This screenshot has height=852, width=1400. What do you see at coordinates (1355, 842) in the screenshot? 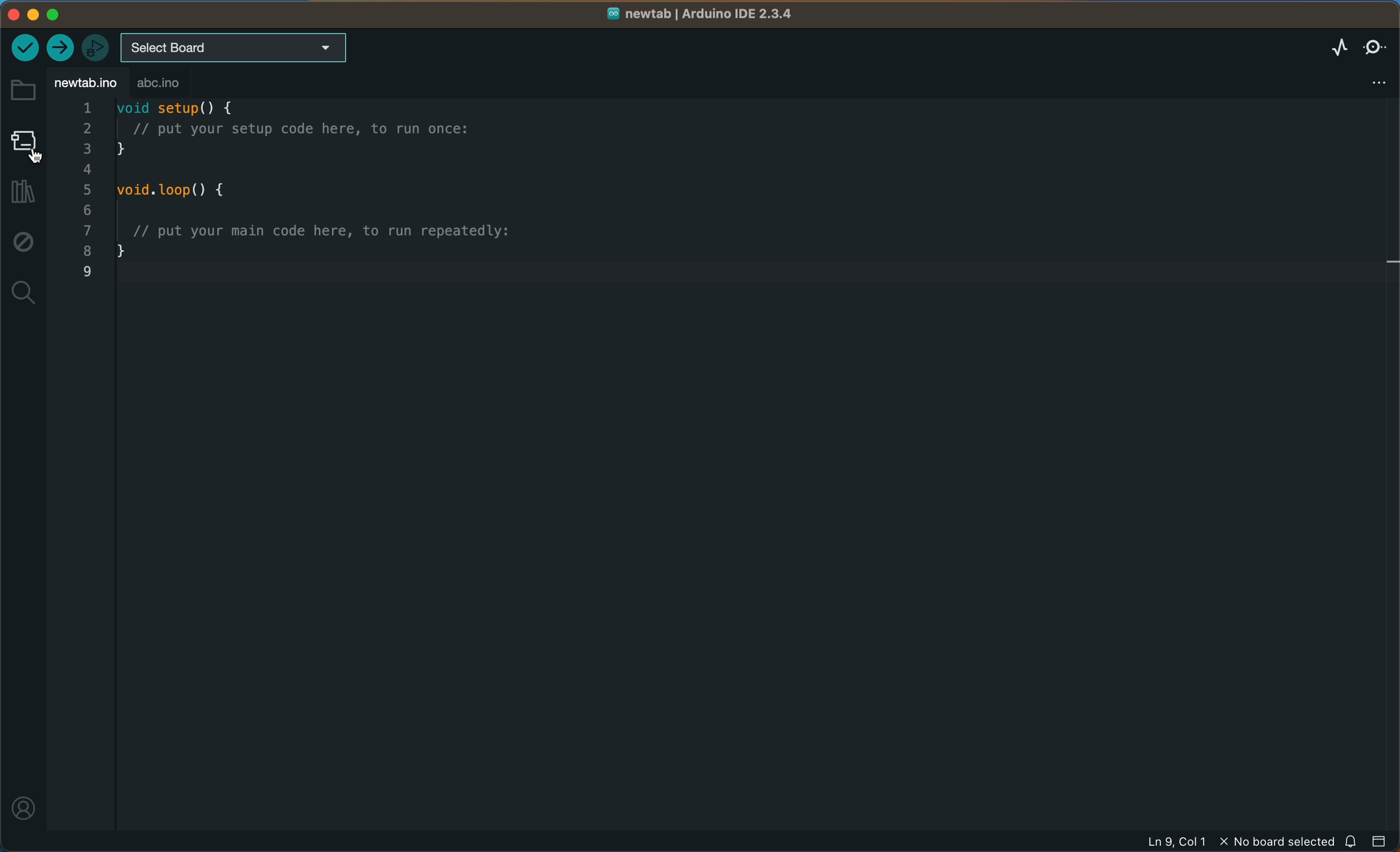
I see `notification` at bounding box center [1355, 842].